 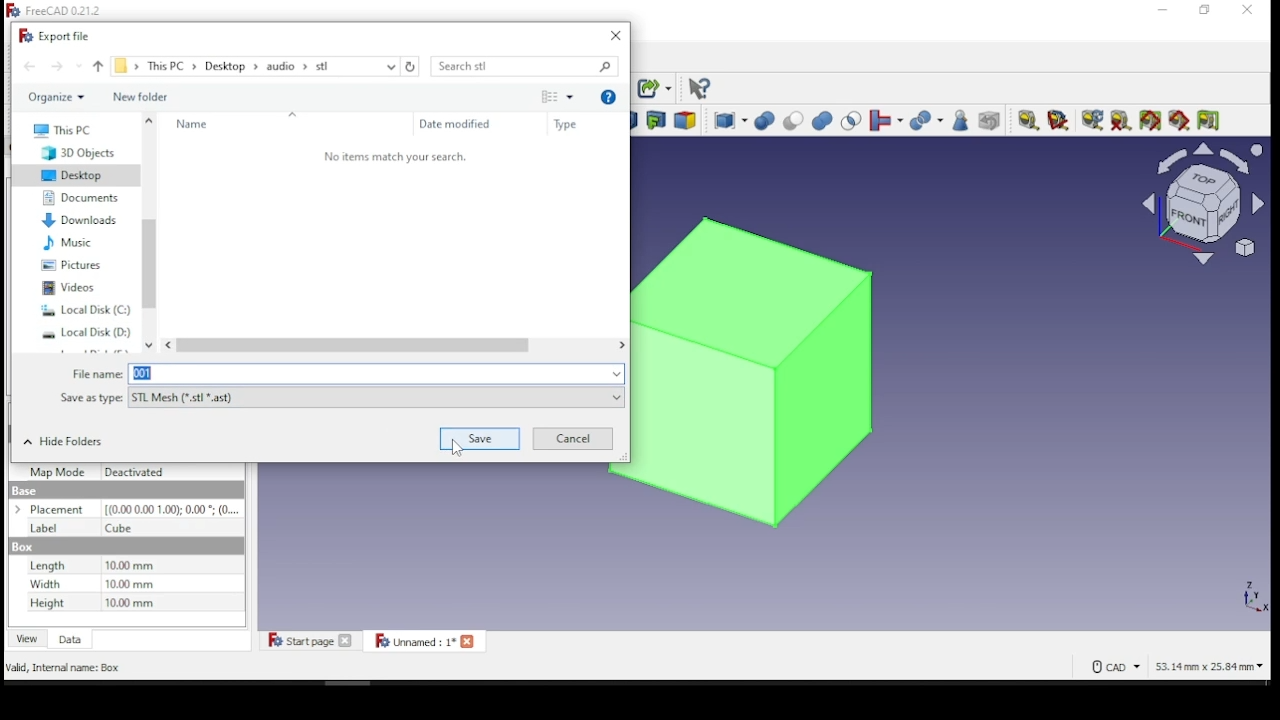 I want to click on audio, so click(x=280, y=67).